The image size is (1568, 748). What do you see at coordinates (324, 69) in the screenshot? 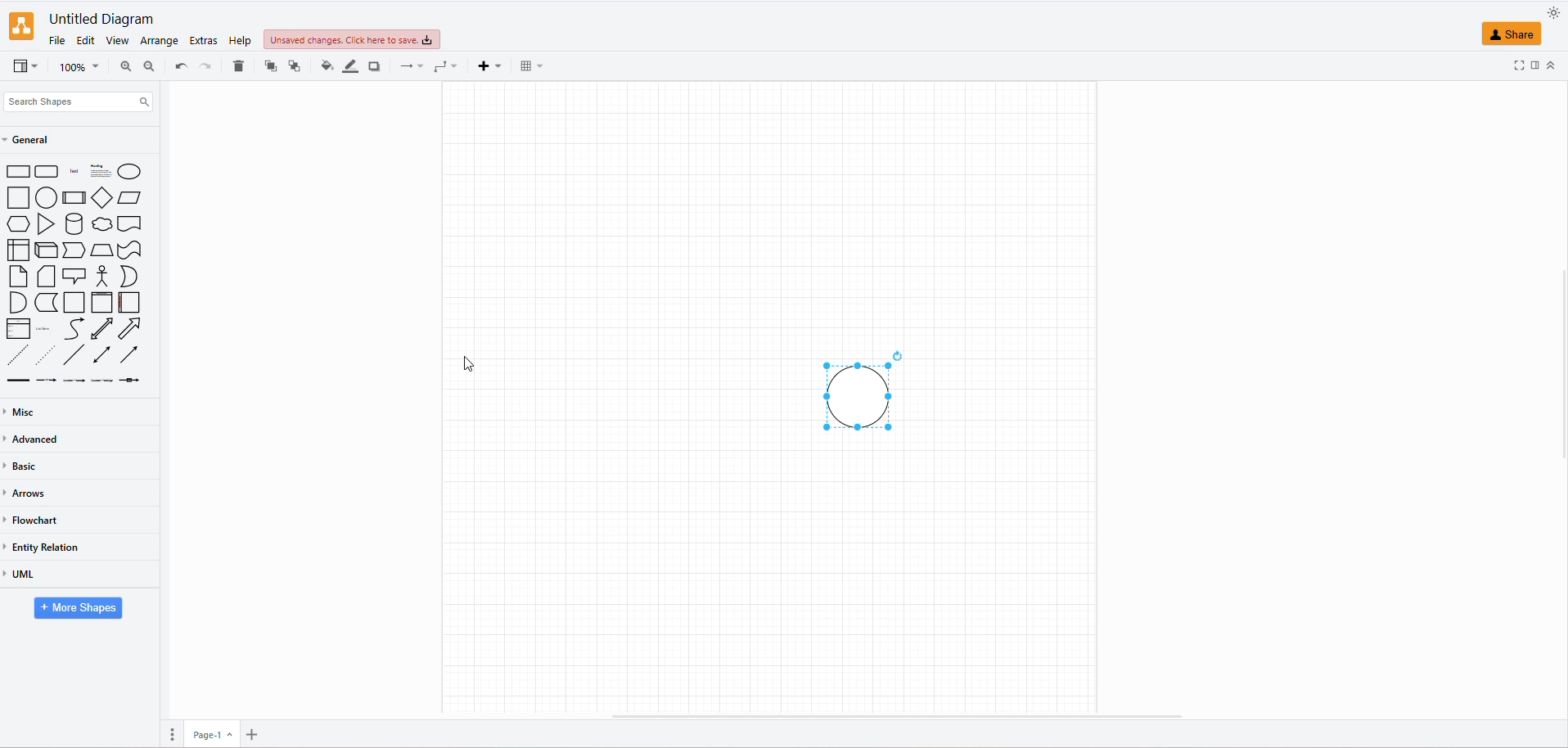
I see `FILL COLOR` at bounding box center [324, 69].